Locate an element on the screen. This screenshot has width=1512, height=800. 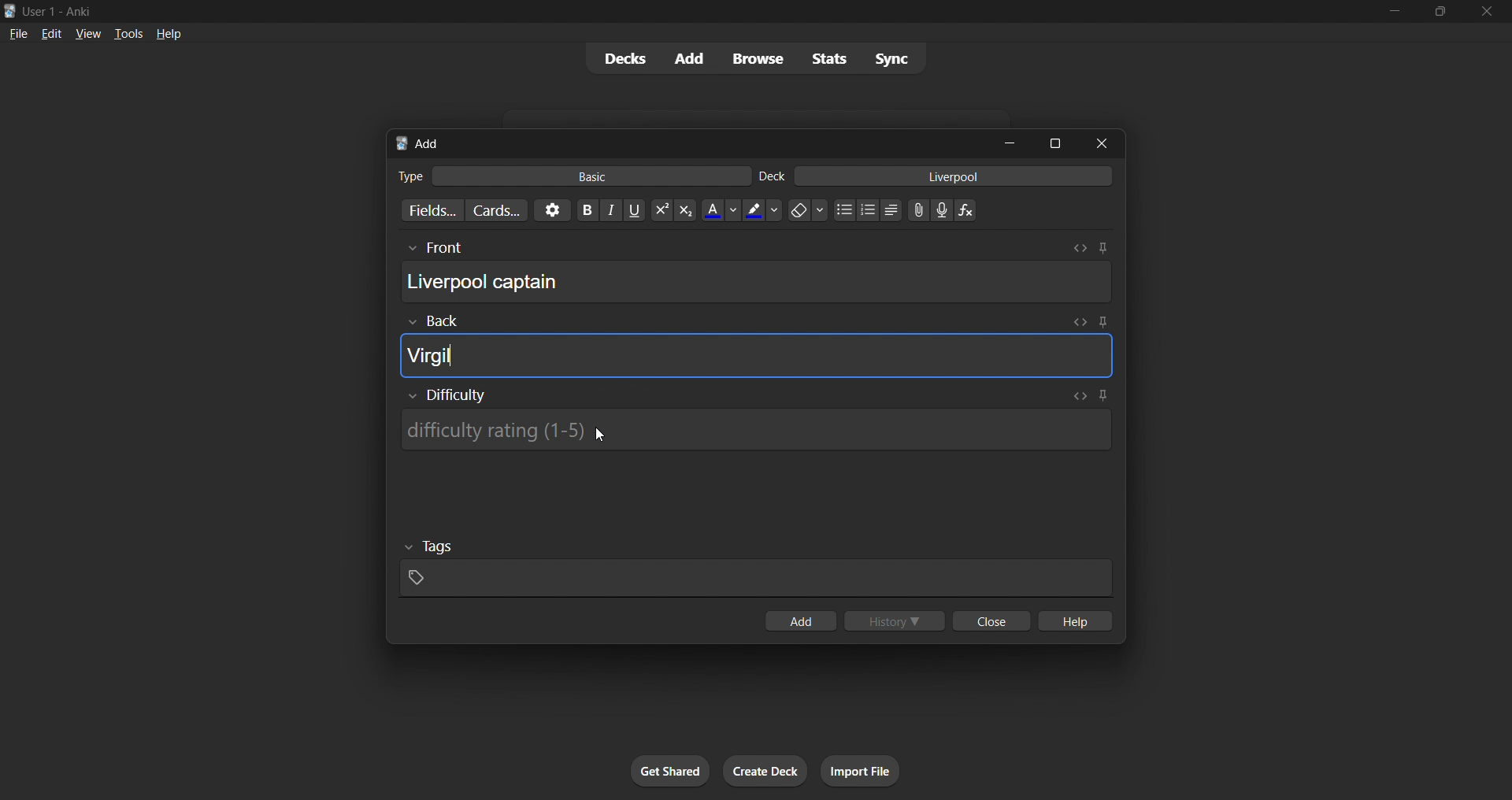
add title bar is located at coordinates (428, 143).